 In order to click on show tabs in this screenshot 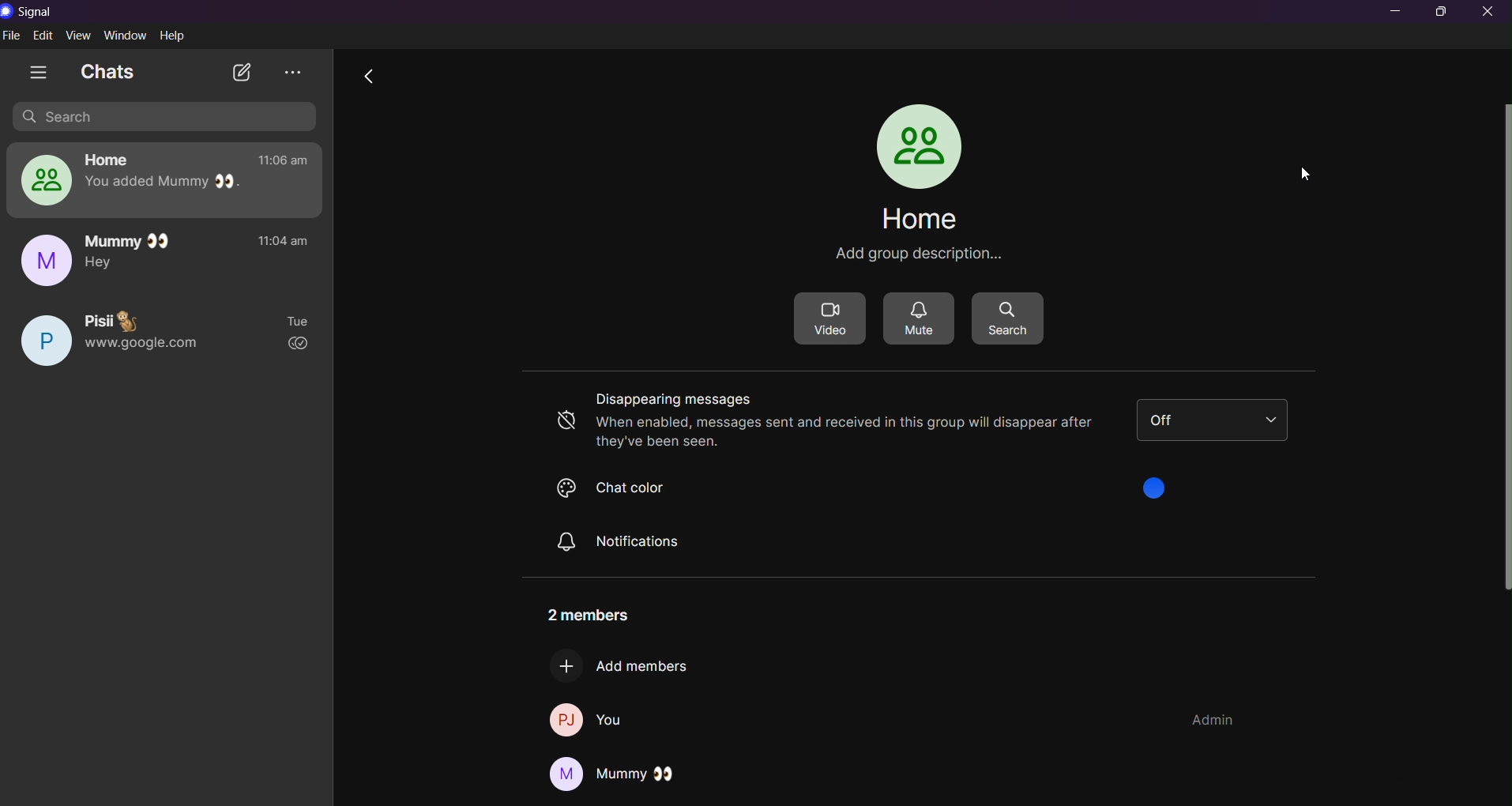, I will do `click(39, 72)`.